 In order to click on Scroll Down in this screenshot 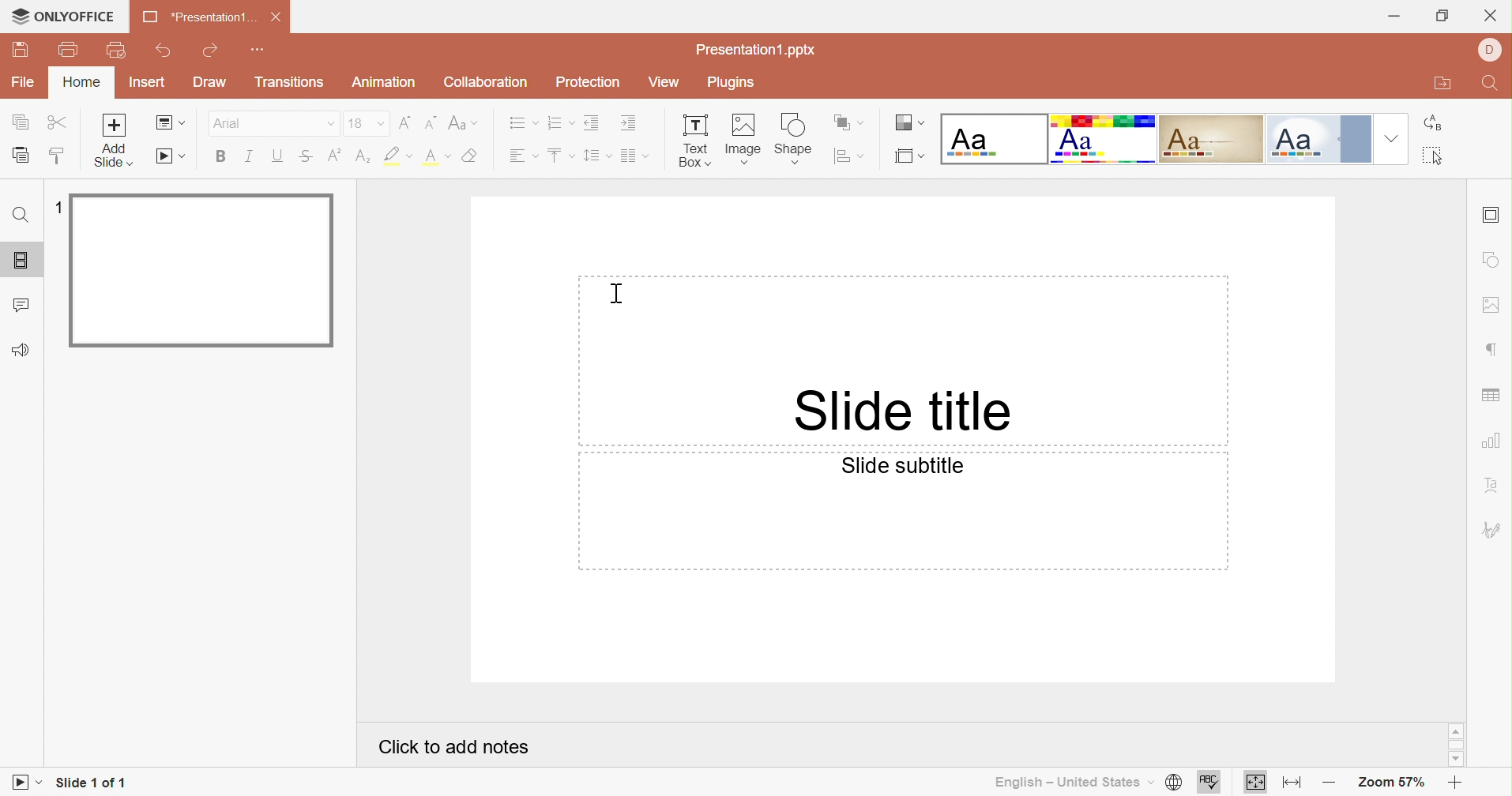, I will do `click(1460, 760)`.